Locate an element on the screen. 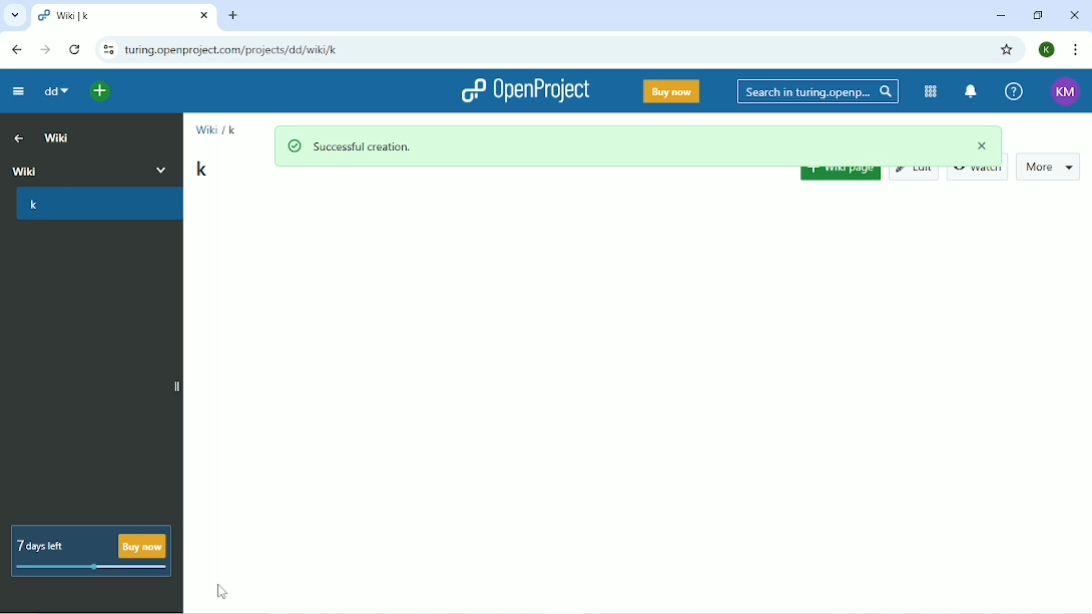 The height and width of the screenshot is (614, 1092). k is located at coordinates (98, 204).